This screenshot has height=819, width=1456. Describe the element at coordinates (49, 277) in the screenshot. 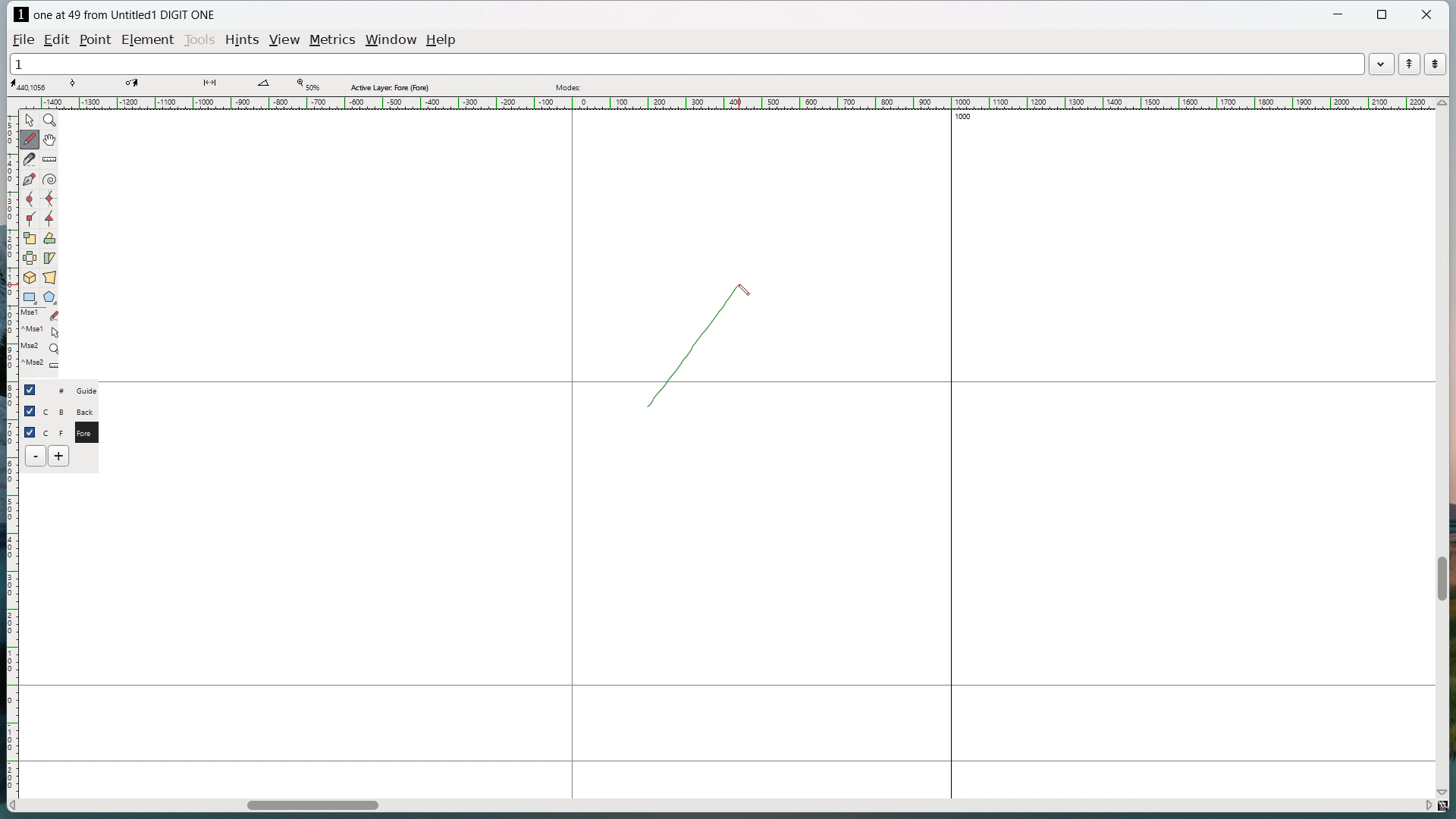

I see `perspective transformation` at that location.